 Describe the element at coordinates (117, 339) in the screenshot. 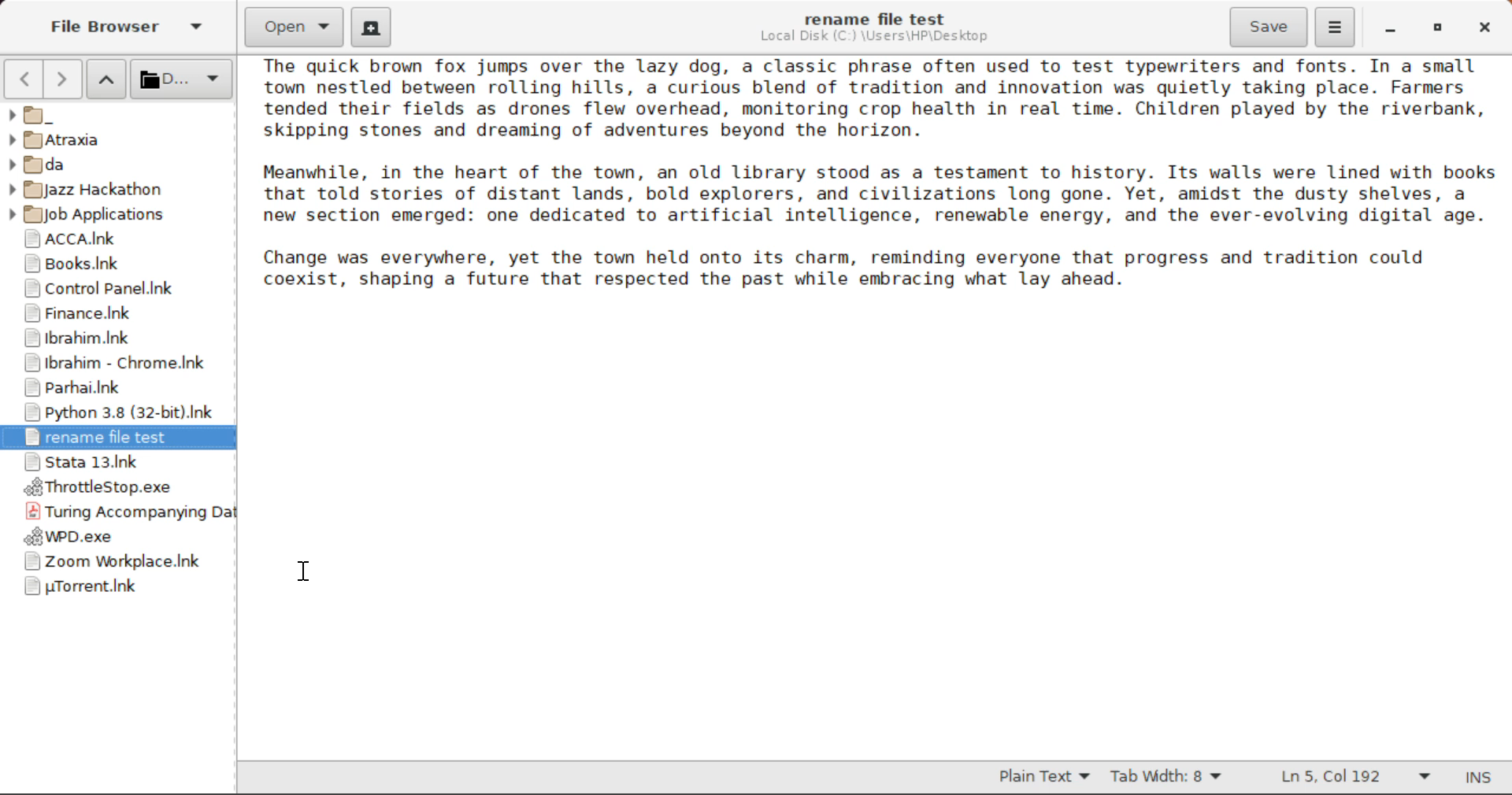

I see `Ibrahim Folder Shortcut Link` at that location.